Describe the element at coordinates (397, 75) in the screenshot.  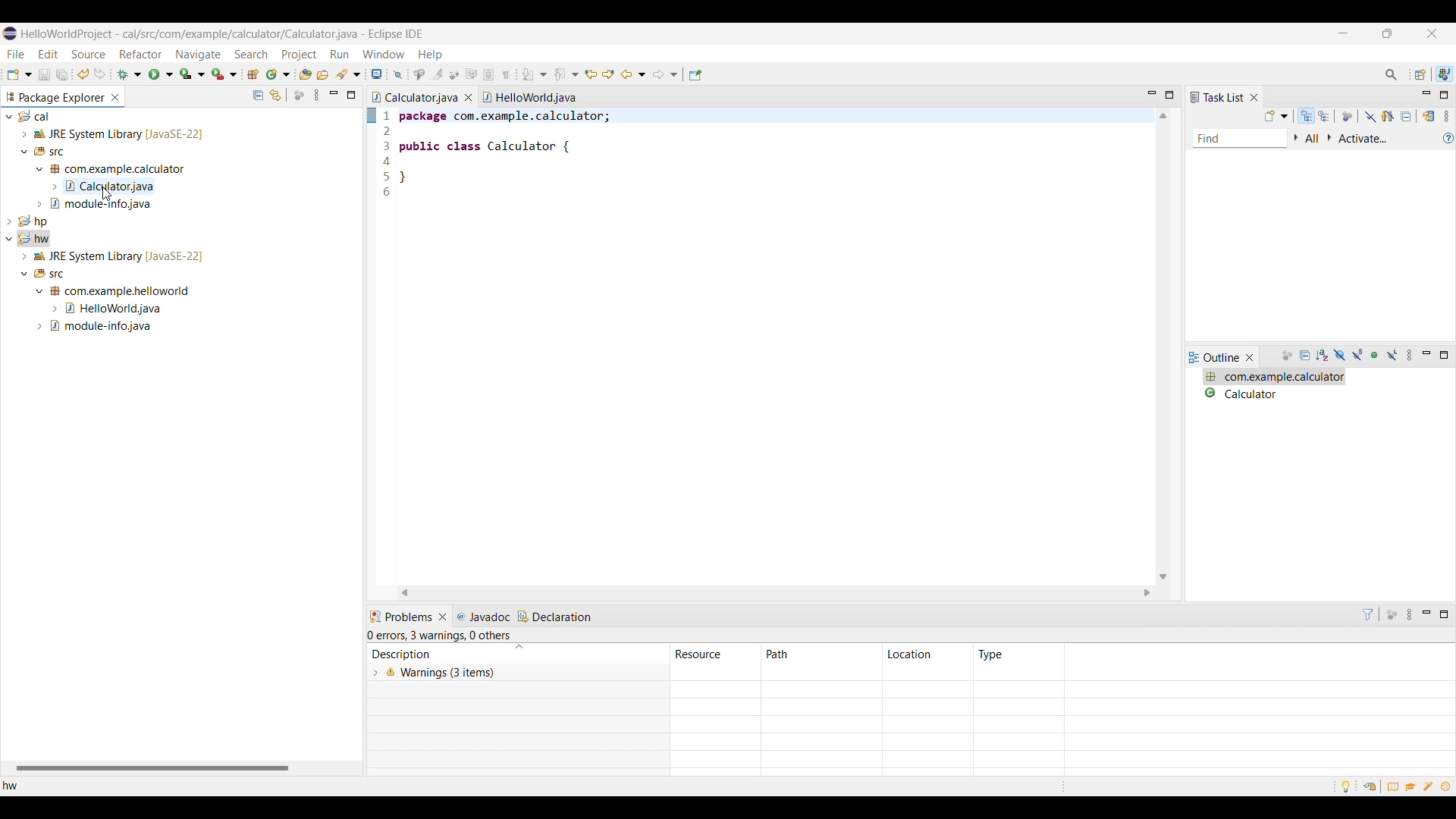
I see `Skip all breakpoints` at that location.